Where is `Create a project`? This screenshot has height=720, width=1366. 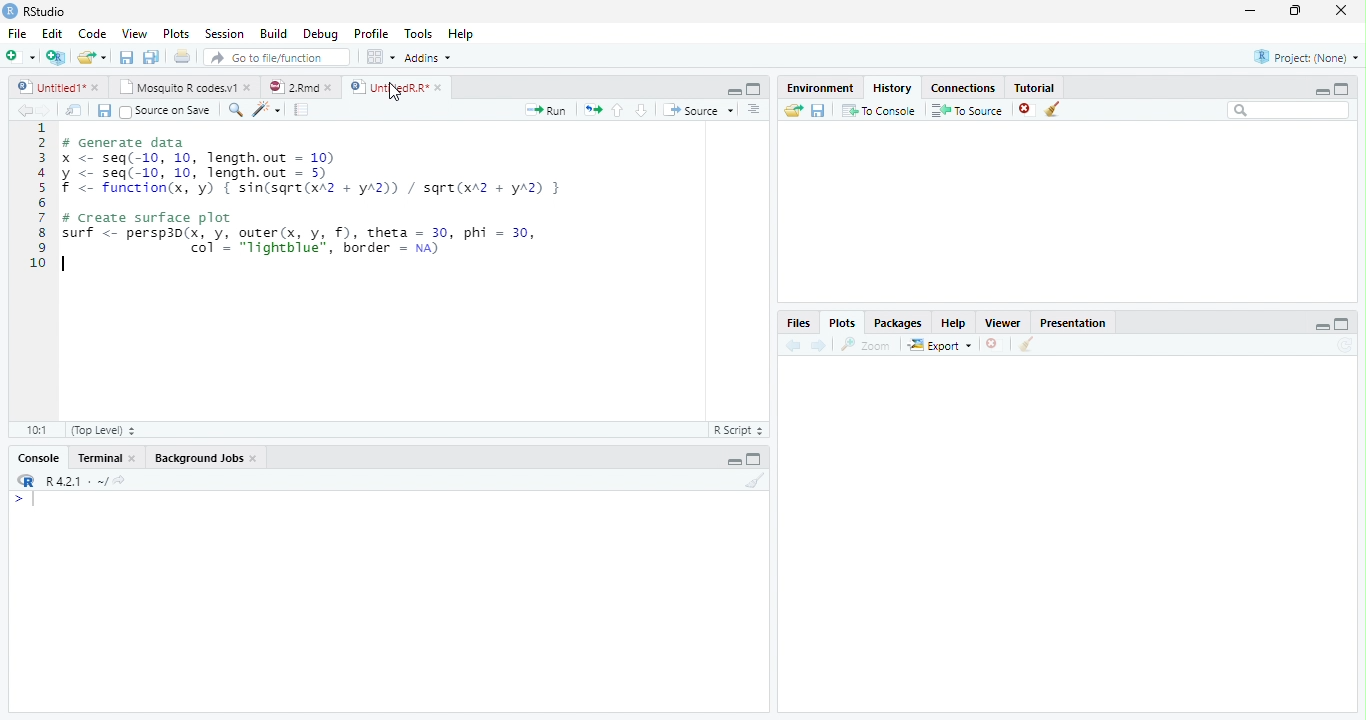
Create a project is located at coordinates (54, 57).